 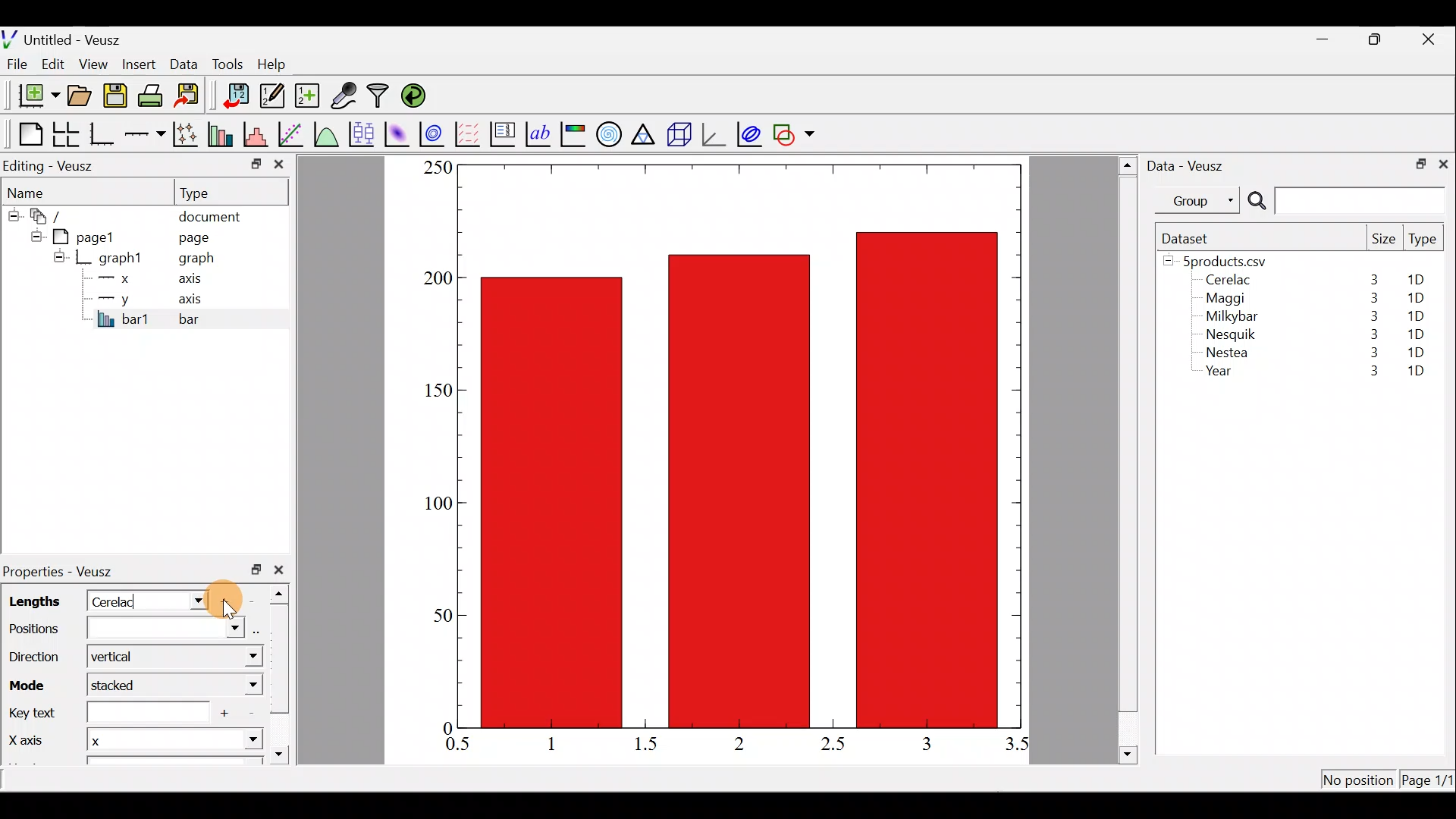 I want to click on 3, so click(x=925, y=743).